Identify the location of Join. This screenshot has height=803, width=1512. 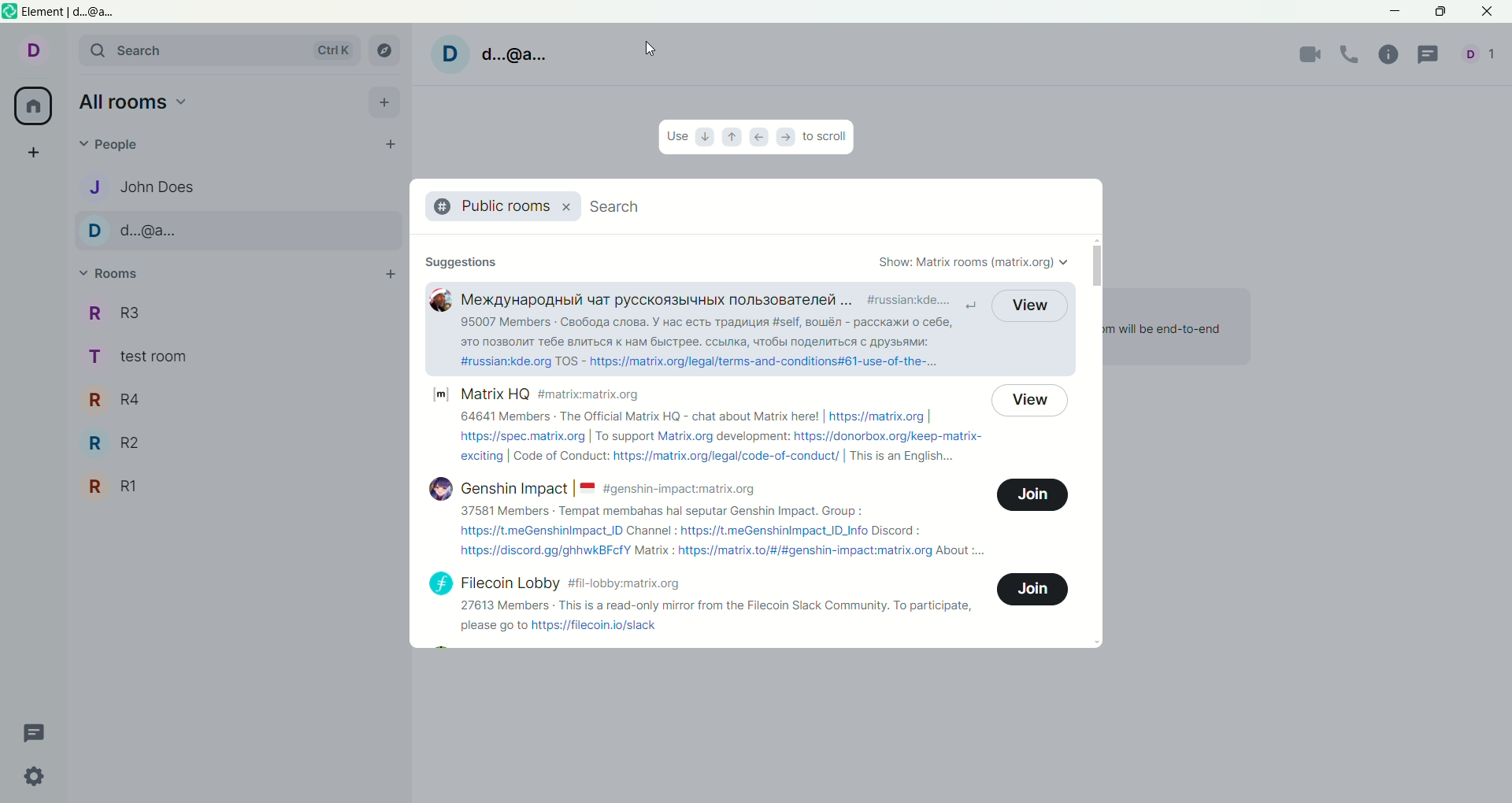
(1032, 494).